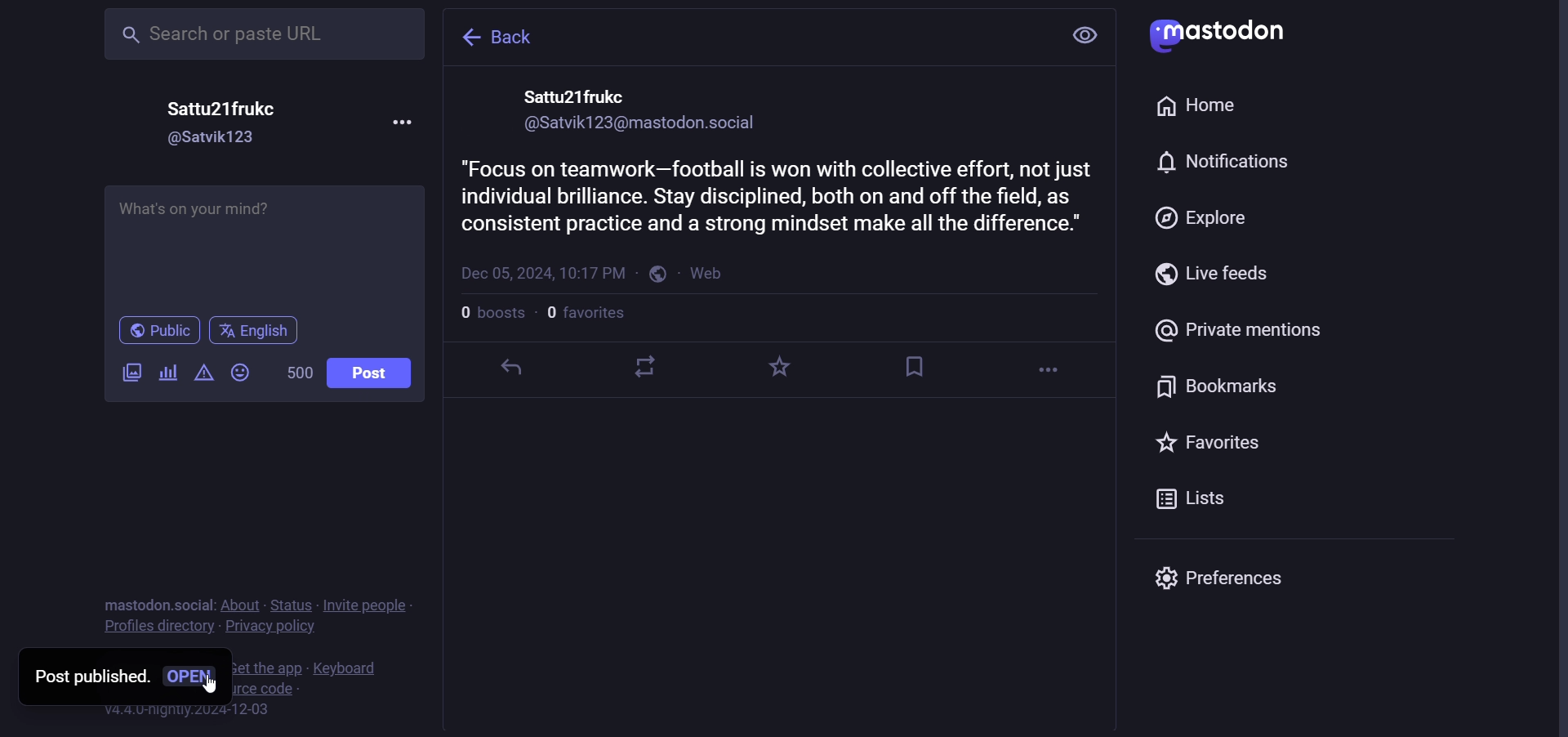 This screenshot has height=737, width=1568. I want to click on word limit, so click(294, 374).